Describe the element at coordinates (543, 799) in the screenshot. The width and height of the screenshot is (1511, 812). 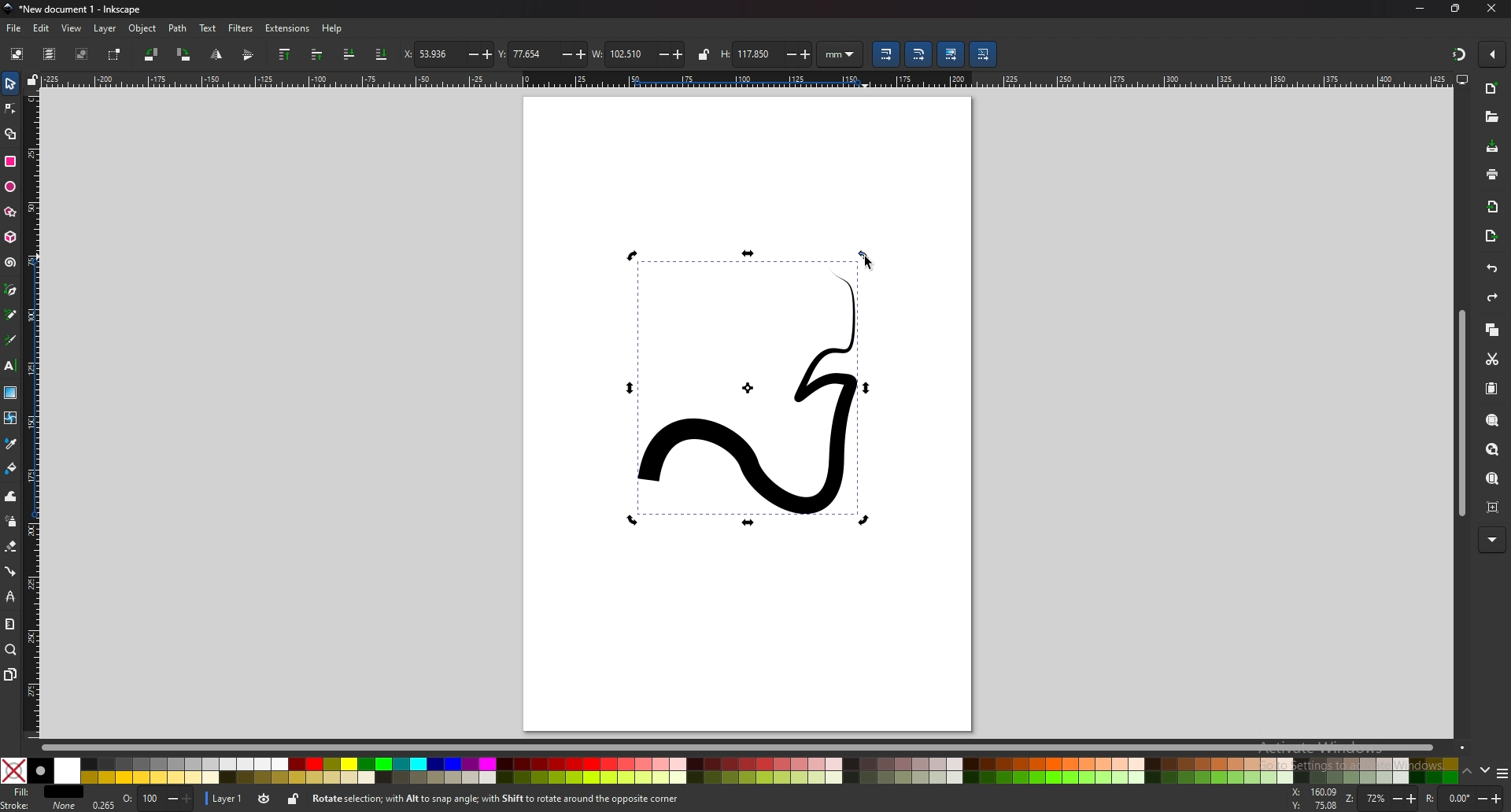
I see `info` at that location.